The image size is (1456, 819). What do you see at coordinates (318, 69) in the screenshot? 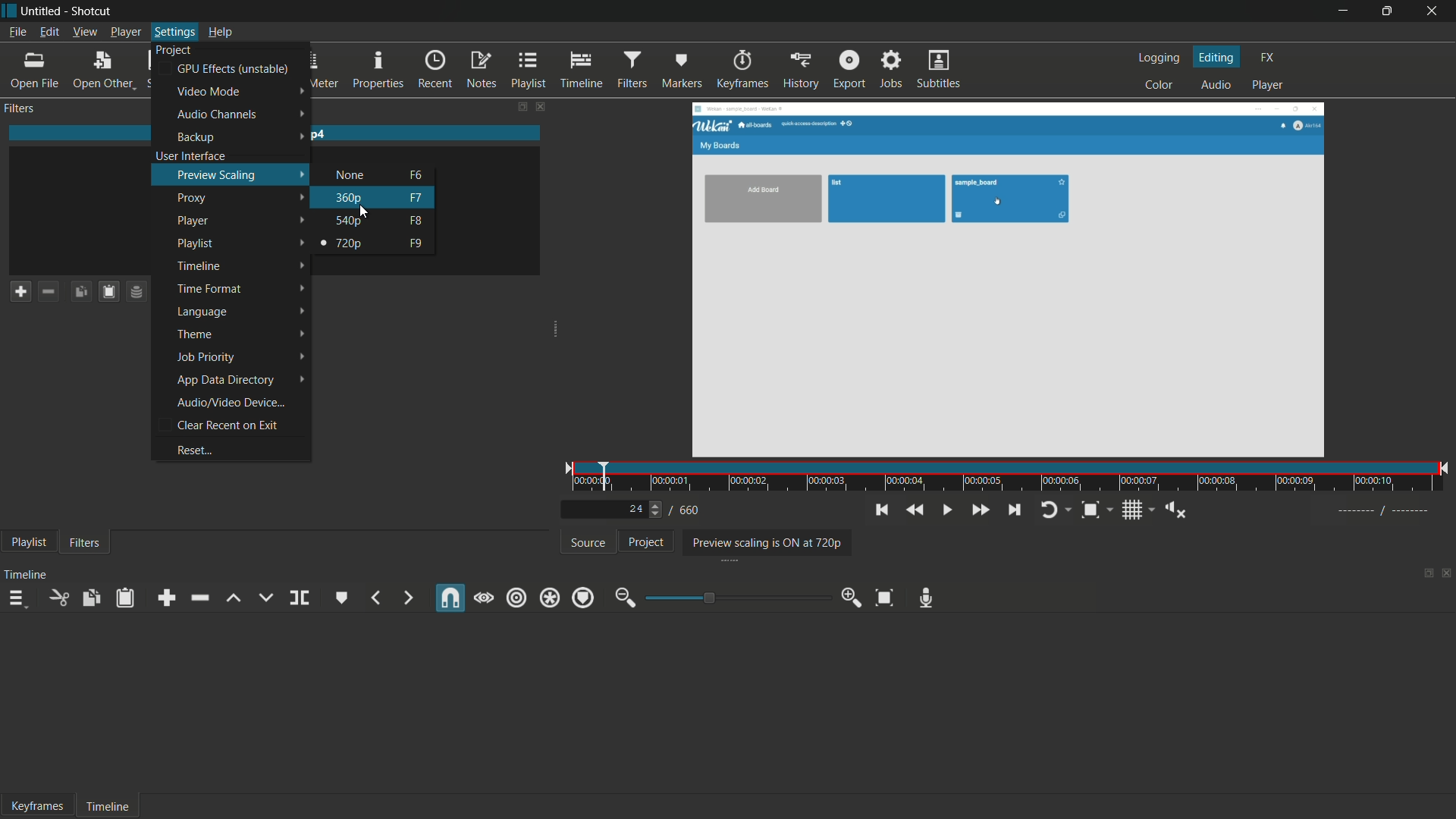
I see `peak meter` at bounding box center [318, 69].